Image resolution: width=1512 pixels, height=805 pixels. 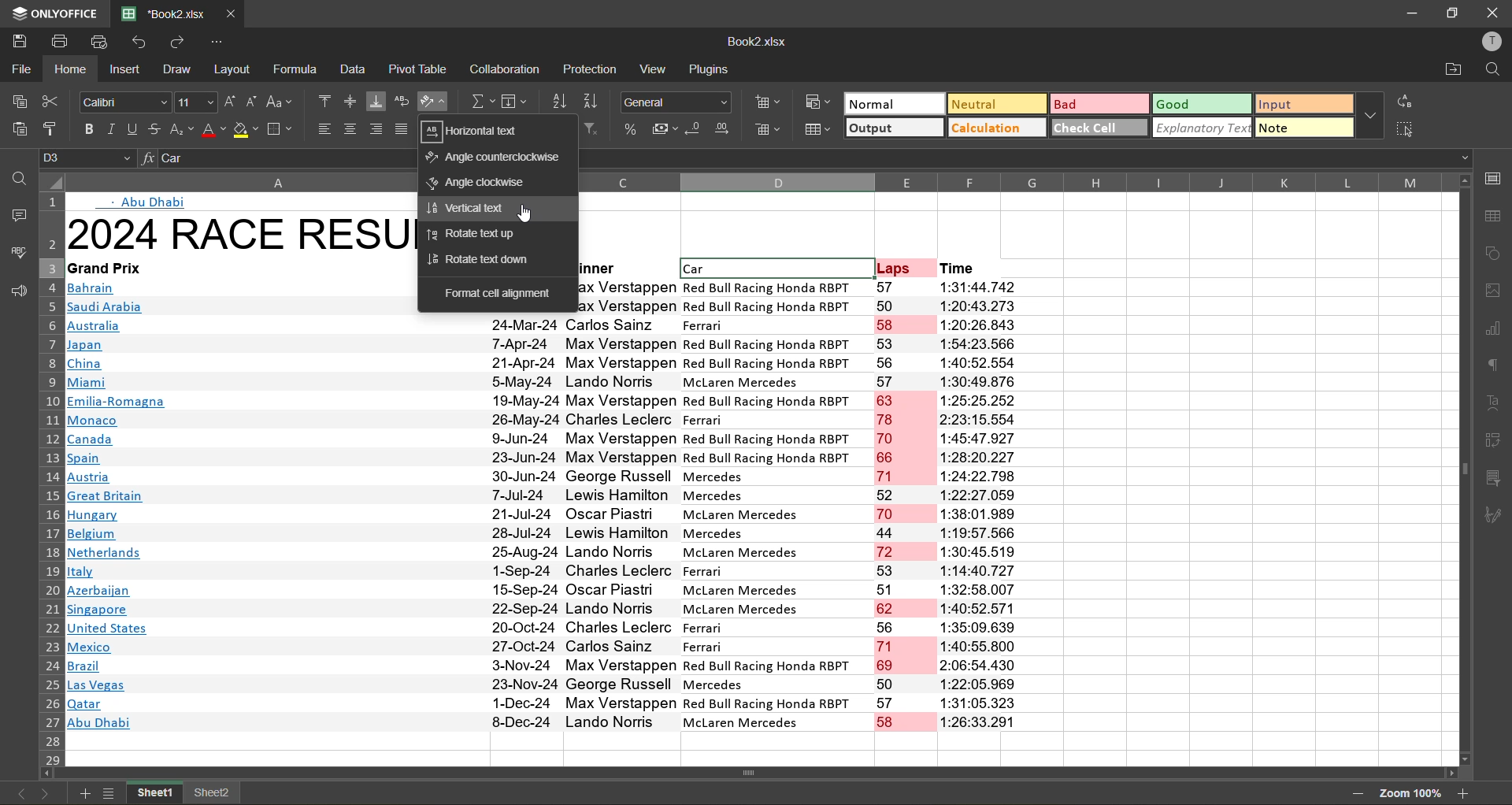 I want to click on cursor, so click(x=524, y=217).